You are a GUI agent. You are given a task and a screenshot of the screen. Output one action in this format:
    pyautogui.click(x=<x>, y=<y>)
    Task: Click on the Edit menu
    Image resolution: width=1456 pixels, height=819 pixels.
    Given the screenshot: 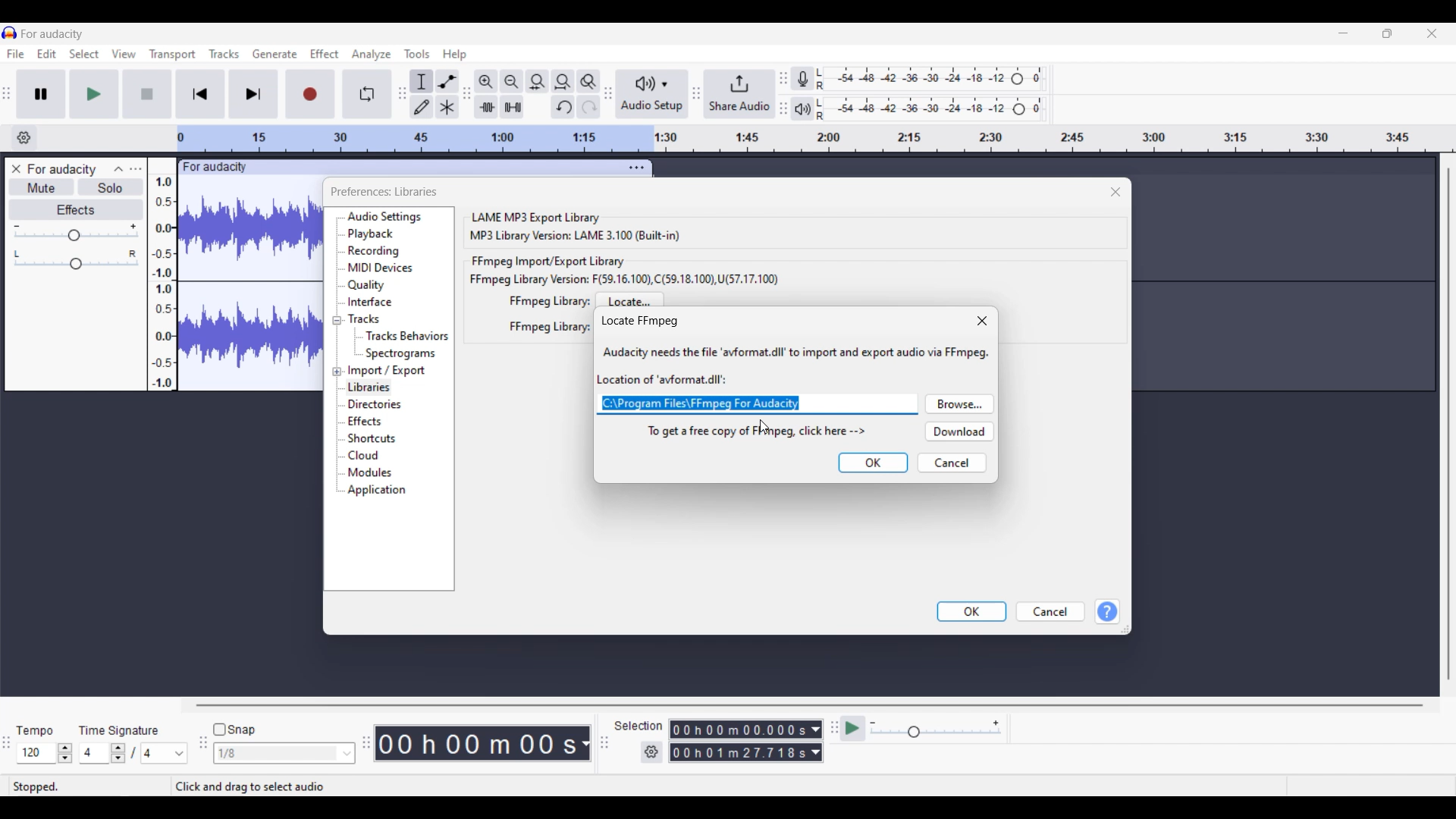 What is the action you would take?
    pyautogui.click(x=47, y=54)
    